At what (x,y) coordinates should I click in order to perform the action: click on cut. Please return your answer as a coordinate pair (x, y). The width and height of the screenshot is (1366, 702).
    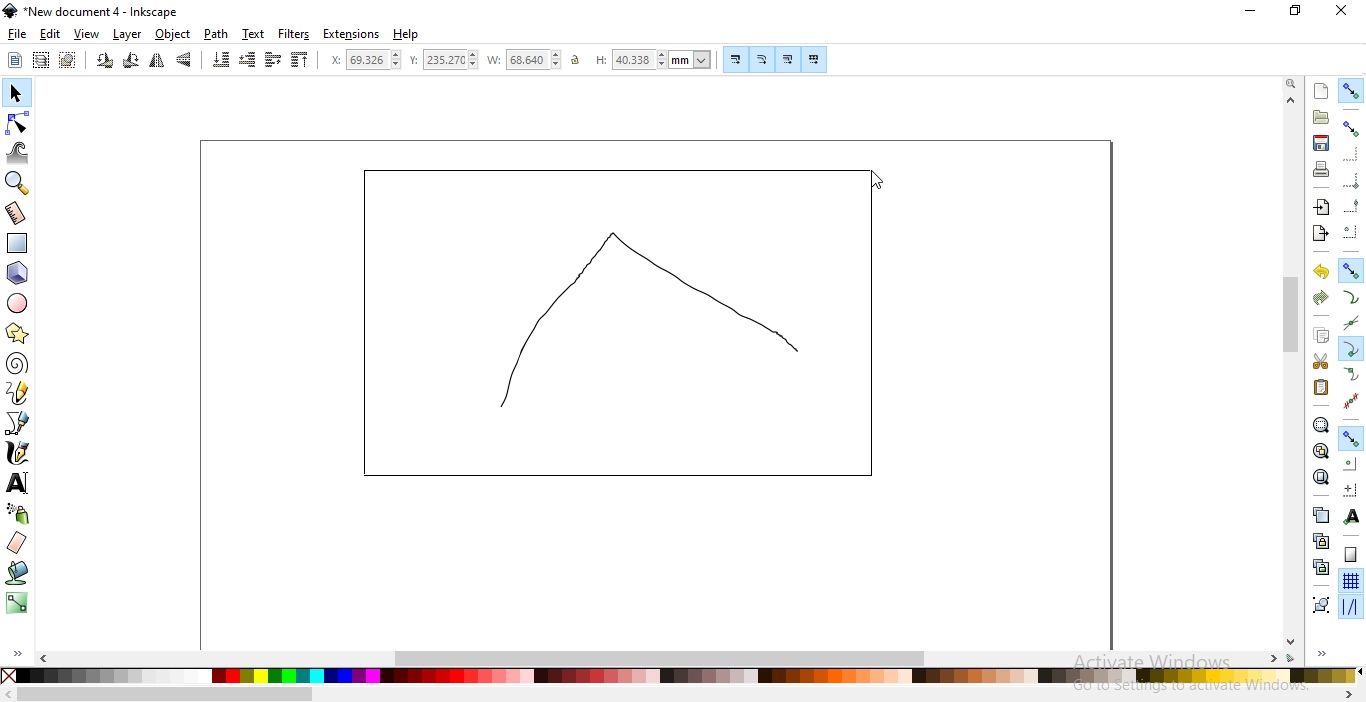
    Looking at the image, I should click on (1320, 362).